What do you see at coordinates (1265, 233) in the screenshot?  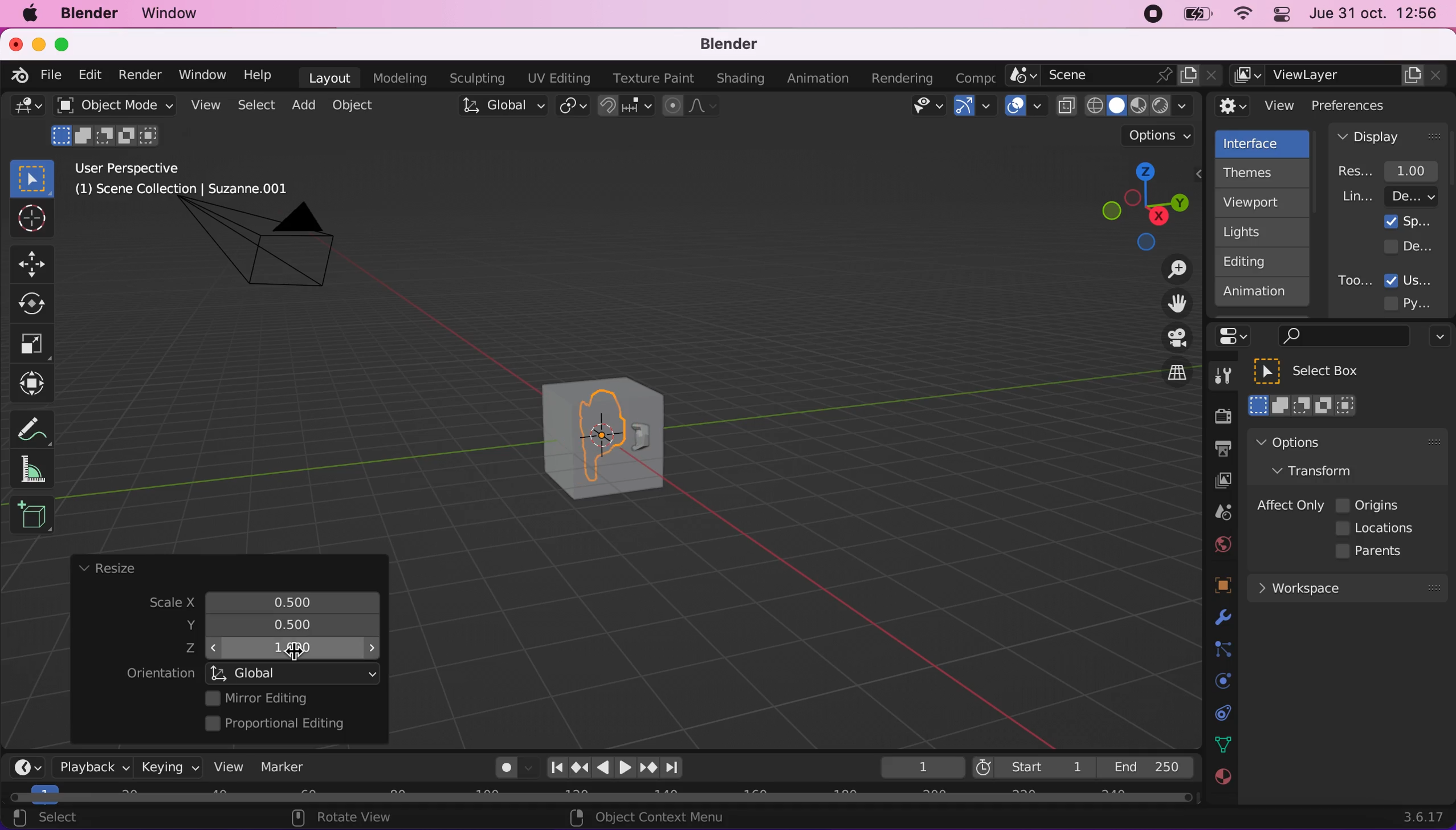 I see `lights` at bounding box center [1265, 233].